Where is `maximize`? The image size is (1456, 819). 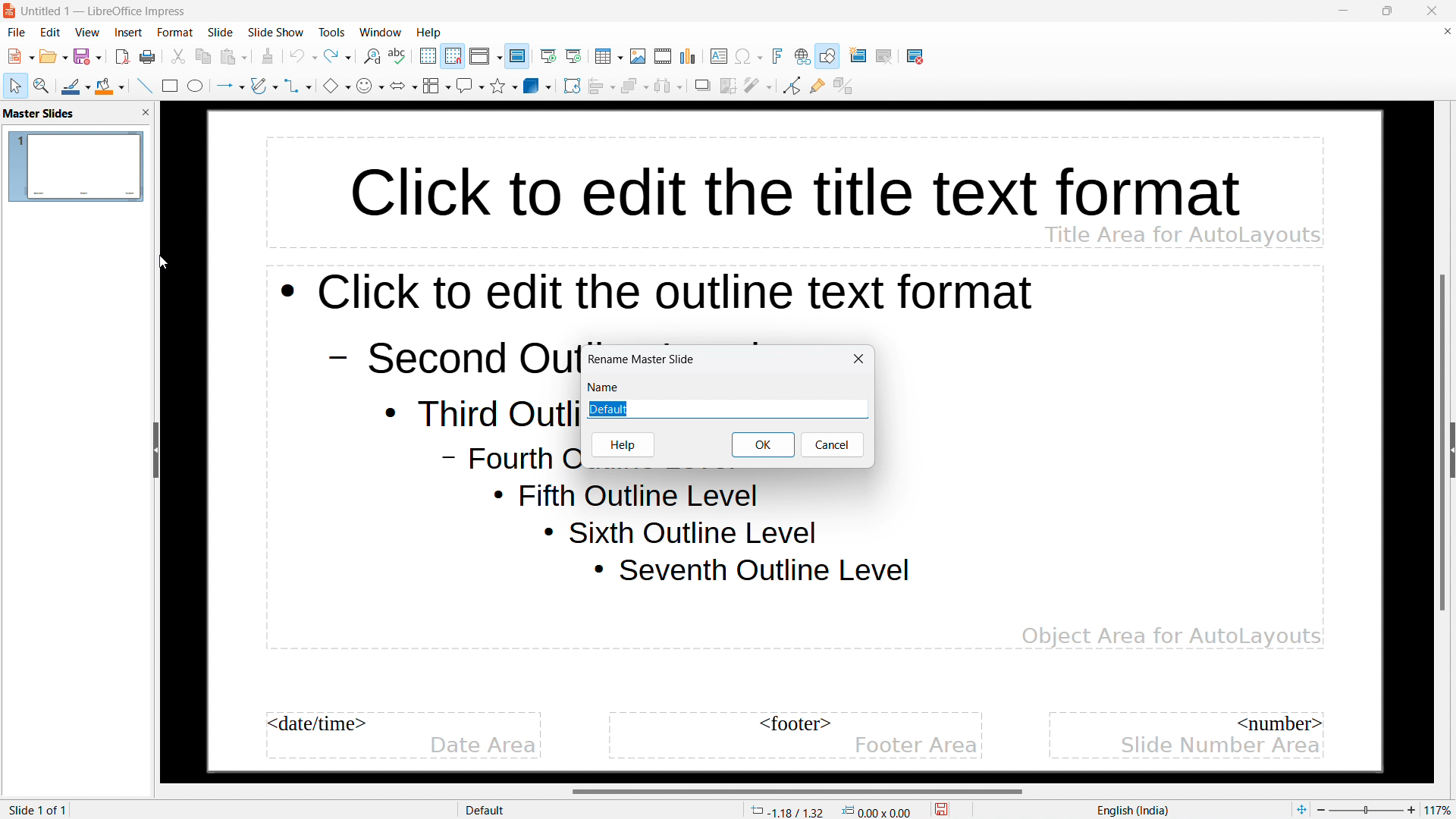
maximize is located at coordinates (1386, 11).